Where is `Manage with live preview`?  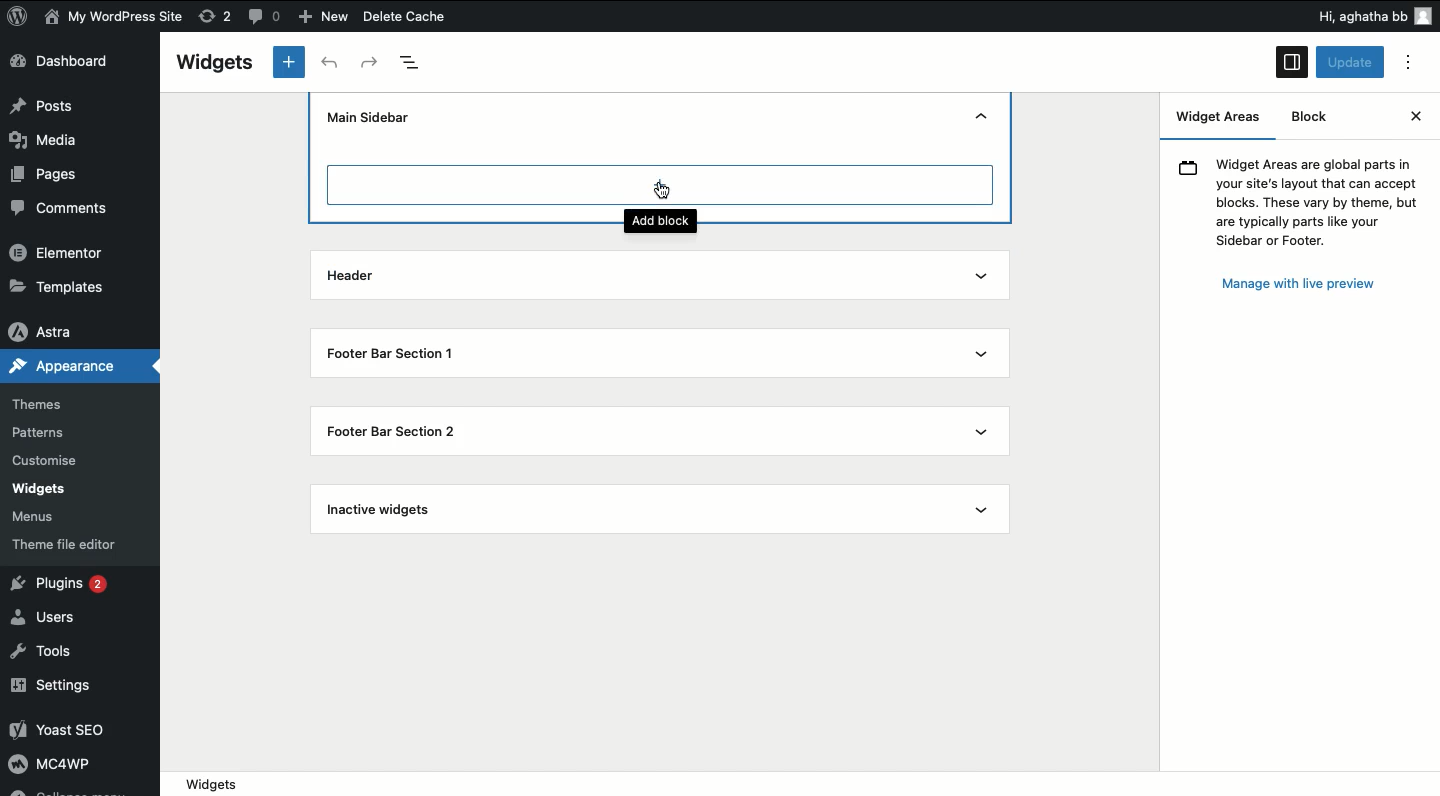 Manage with live preview is located at coordinates (1302, 283).